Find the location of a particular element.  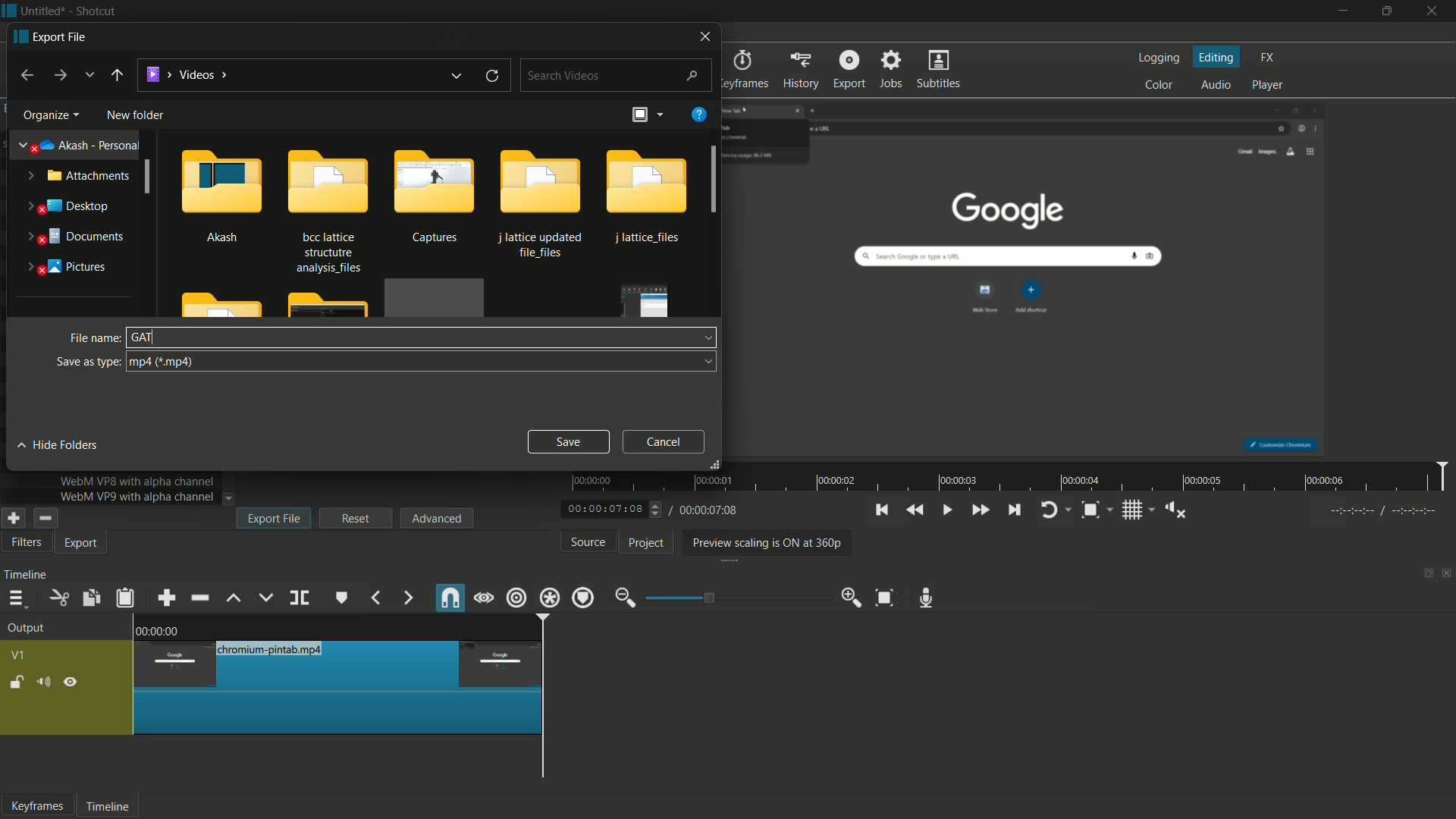

quickly play backward is located at coordinates (914, 509).